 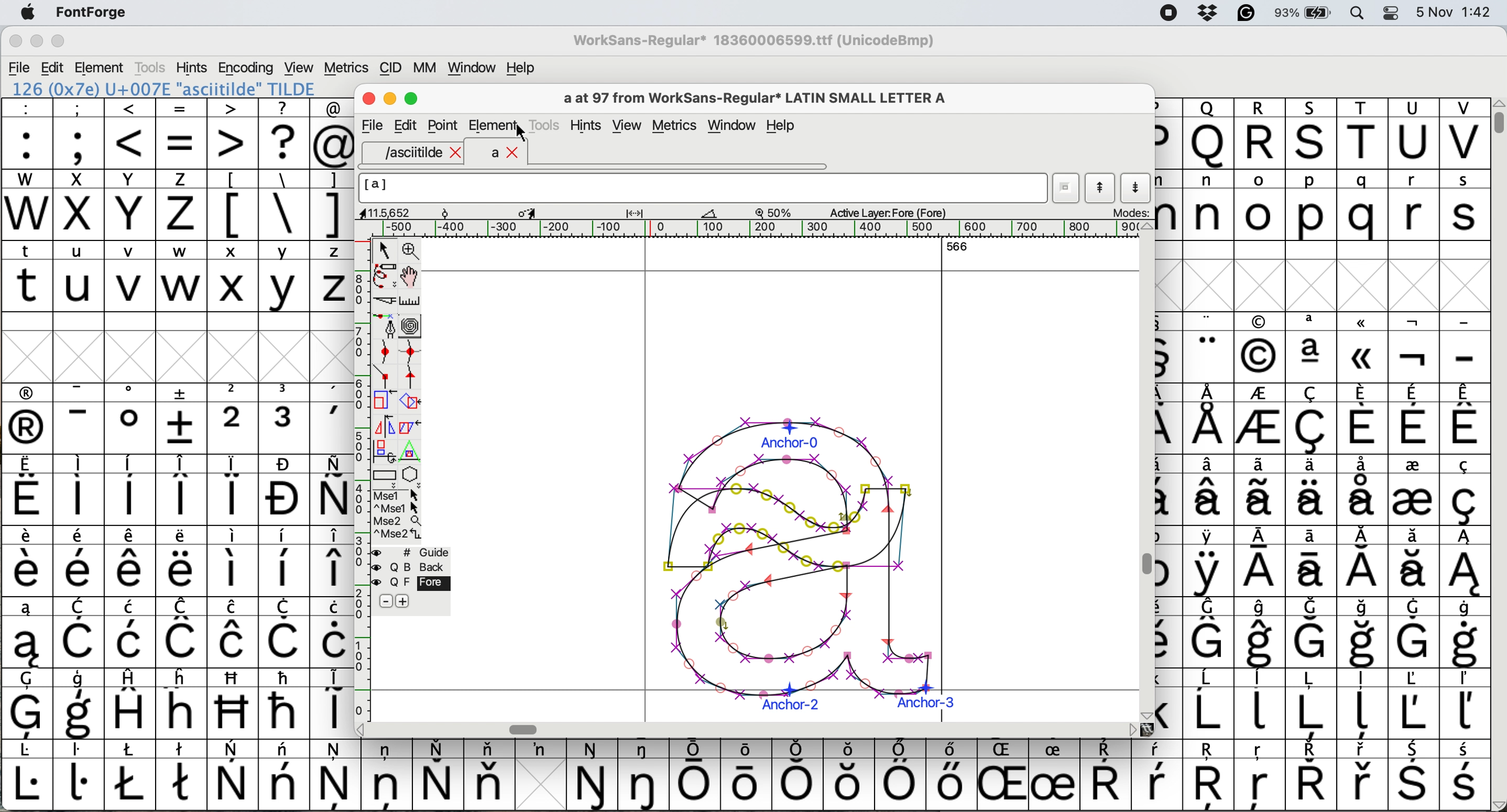 What do you see at coordinates (232, 632) in the screenshot?
I see `symbol` at bounding box center [232, 632].